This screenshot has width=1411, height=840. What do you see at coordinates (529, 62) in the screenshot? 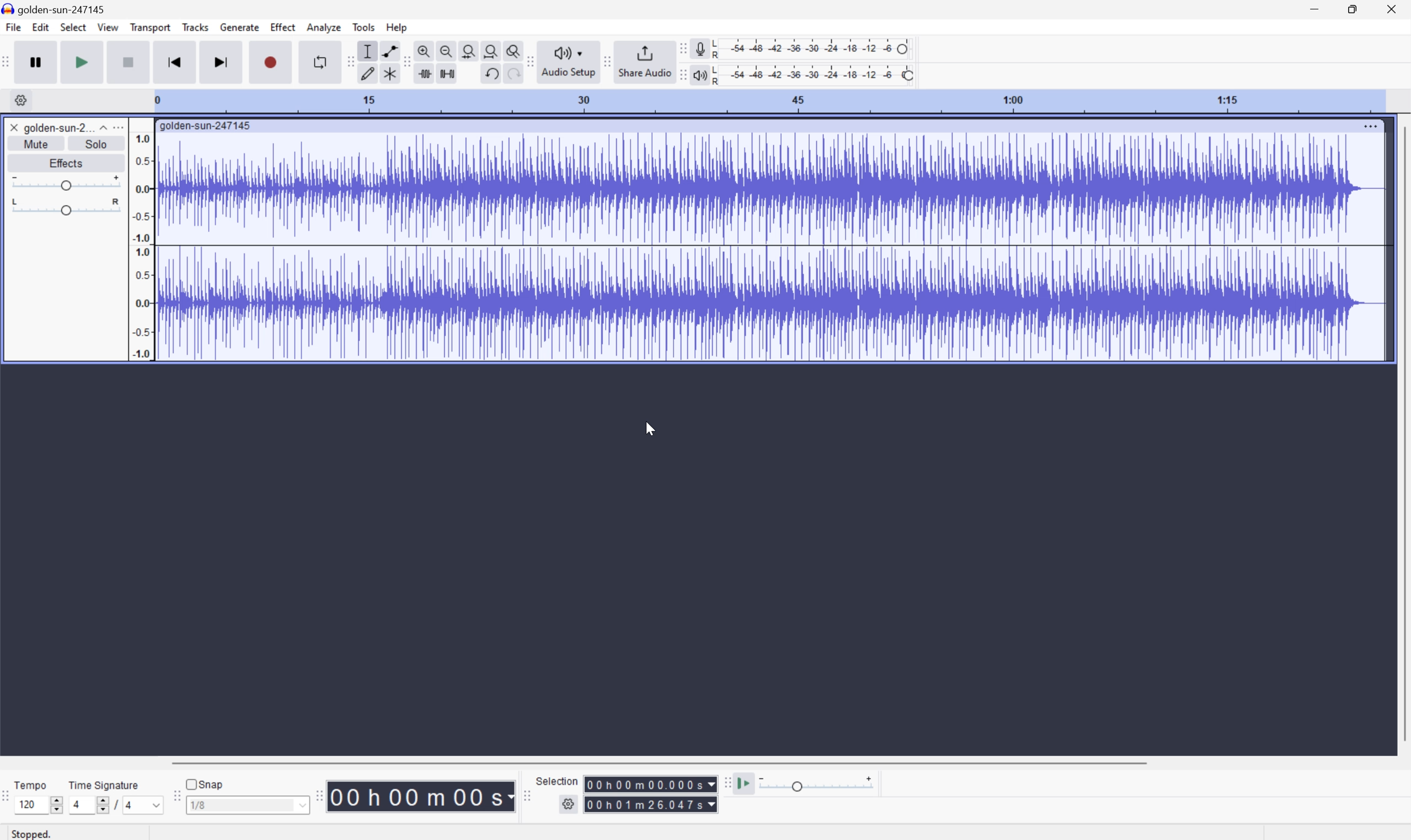
I see `Audacity audio setup toolbar` at bounding box center [529, 62].